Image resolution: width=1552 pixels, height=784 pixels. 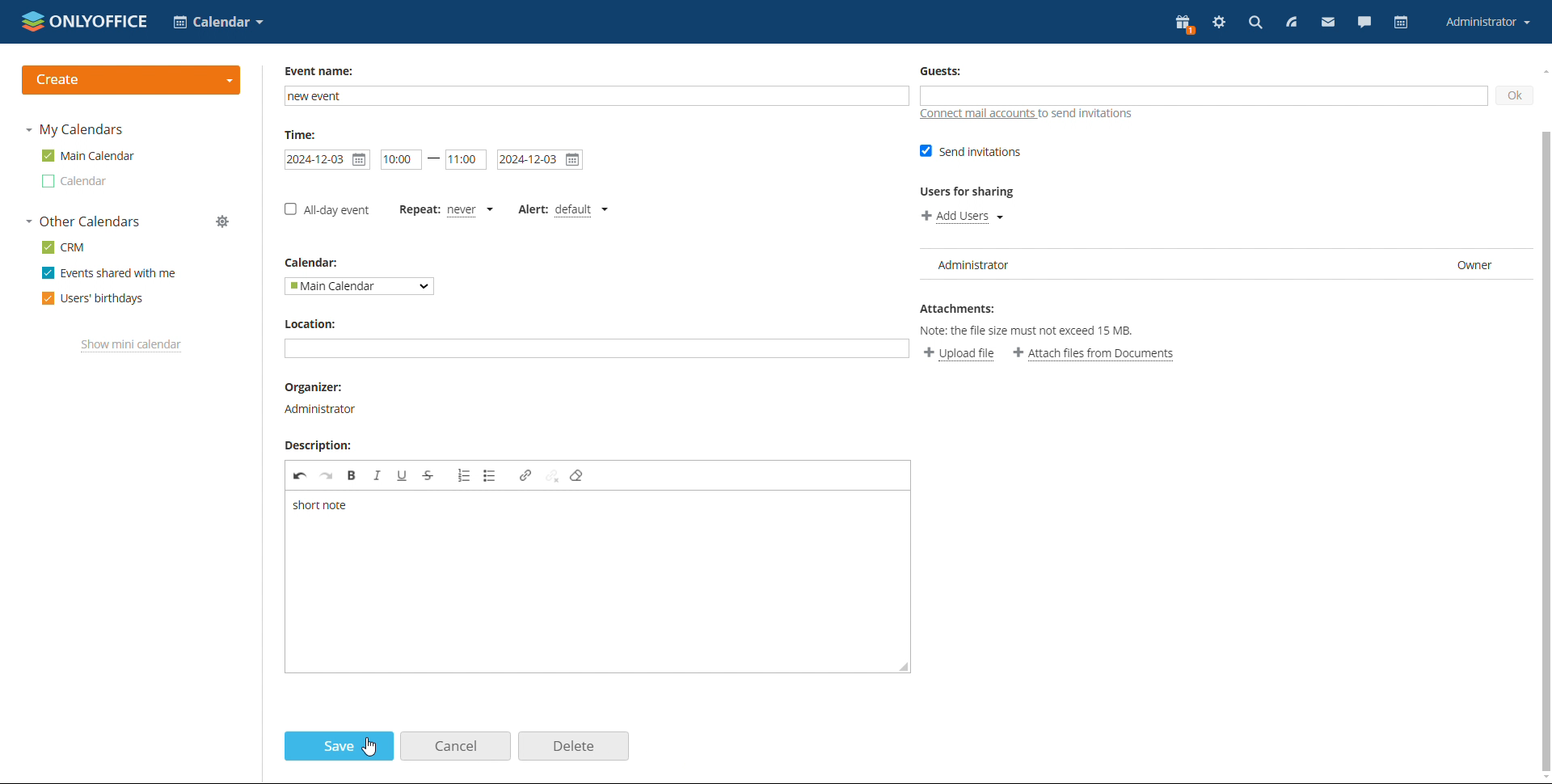 What do you see at coordinates (1038, 331) in the screenshot?
I see `Note: the file size must not exceed 15 MB.` at bounding box center [1038, 331].